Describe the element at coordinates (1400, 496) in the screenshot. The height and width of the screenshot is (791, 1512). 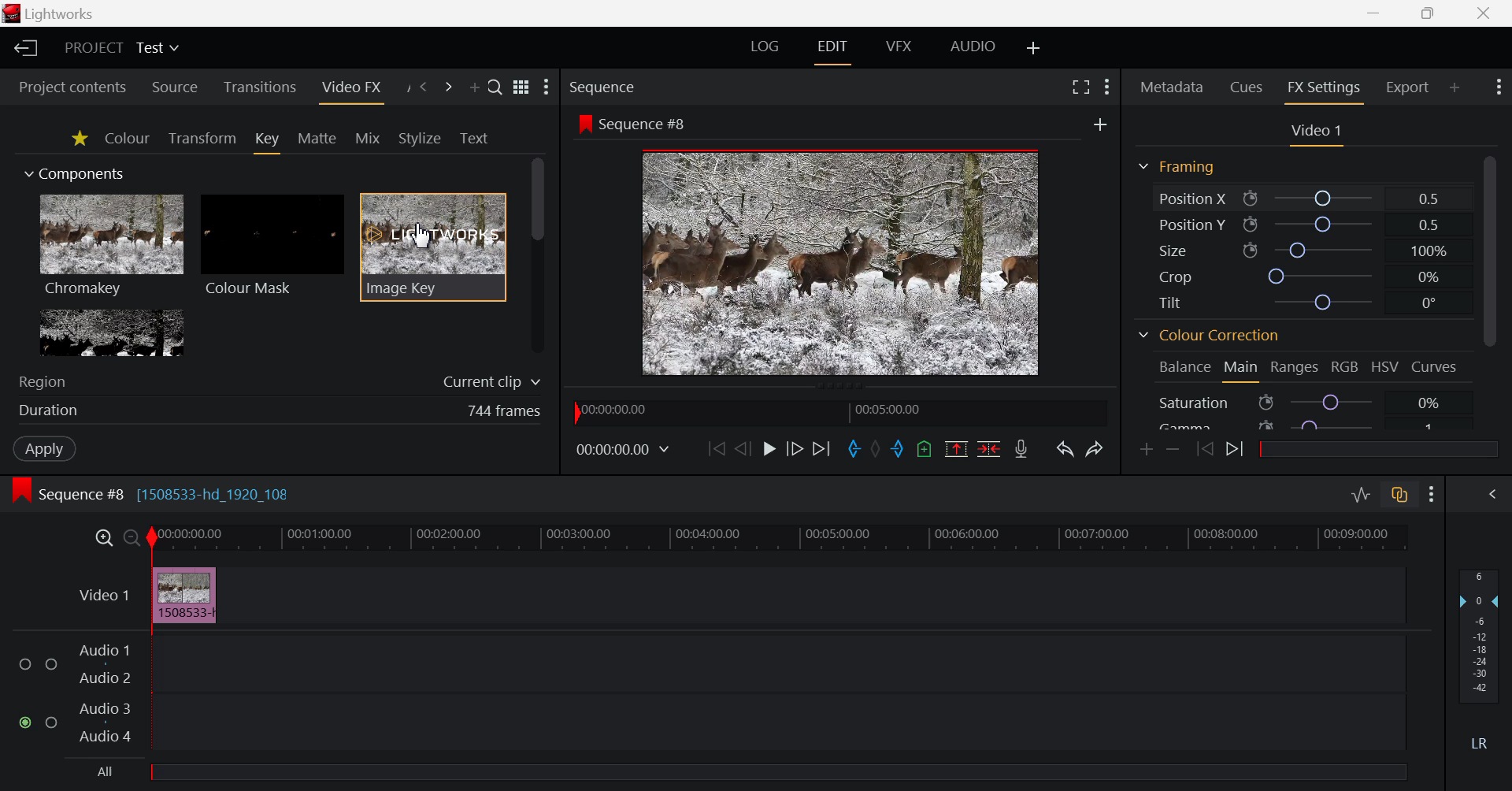
I see `Toggle auto track sync` at that location.